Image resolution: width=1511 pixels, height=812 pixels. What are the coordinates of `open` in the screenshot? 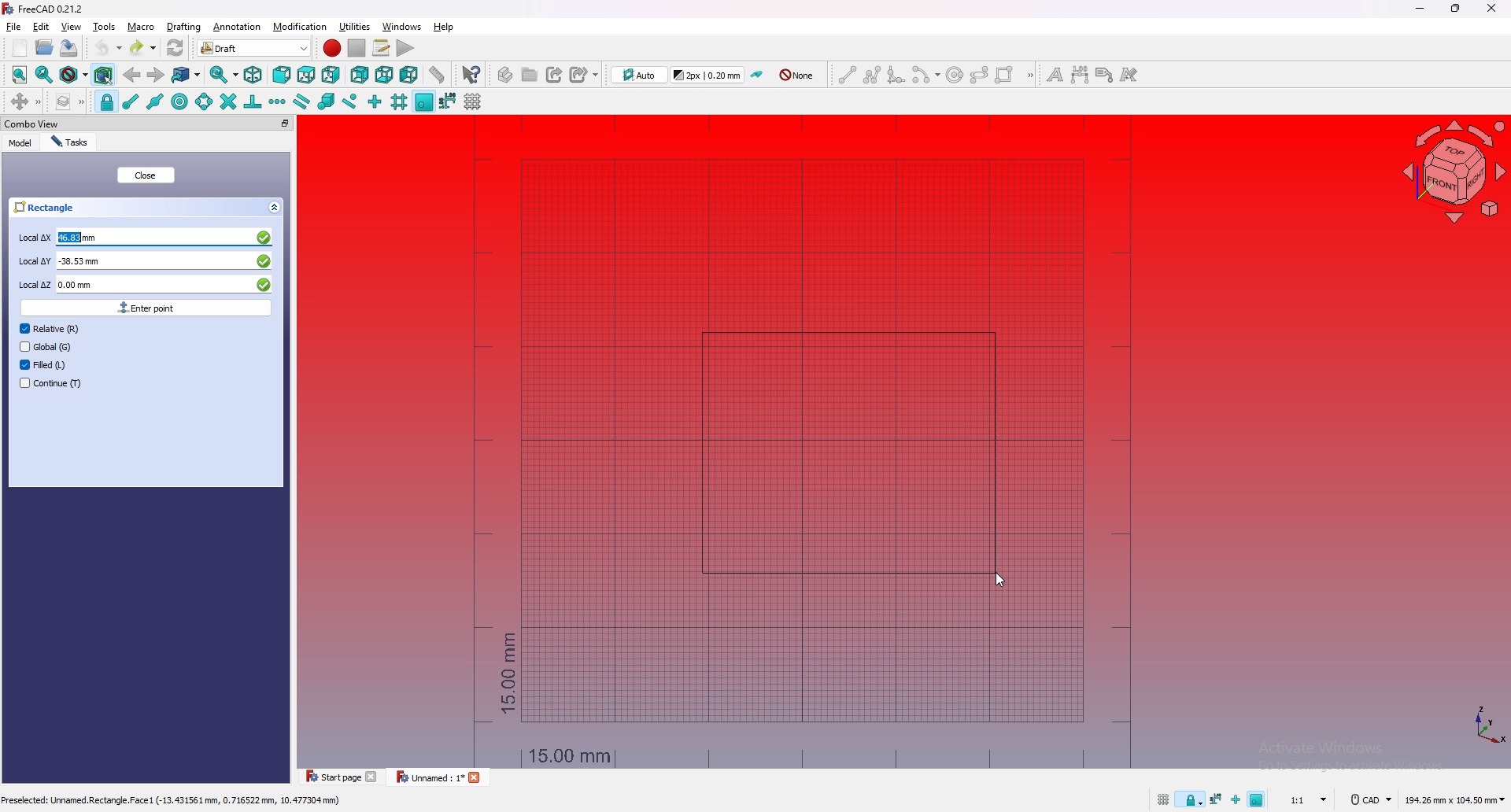 It's located at (45, 47).